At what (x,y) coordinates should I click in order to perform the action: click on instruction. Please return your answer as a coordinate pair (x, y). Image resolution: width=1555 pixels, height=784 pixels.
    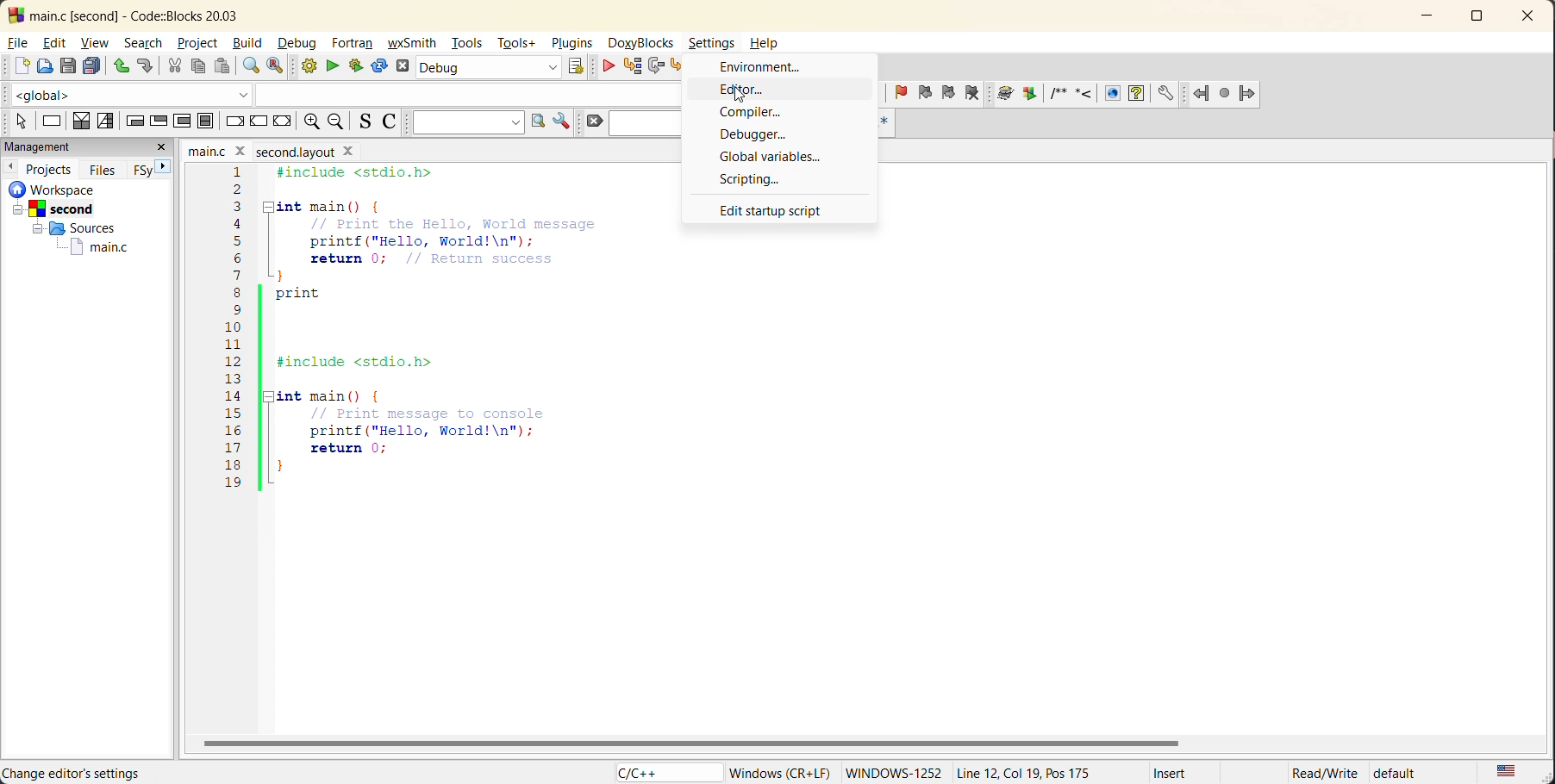
    Looking at the image, I should click on (51, 120).